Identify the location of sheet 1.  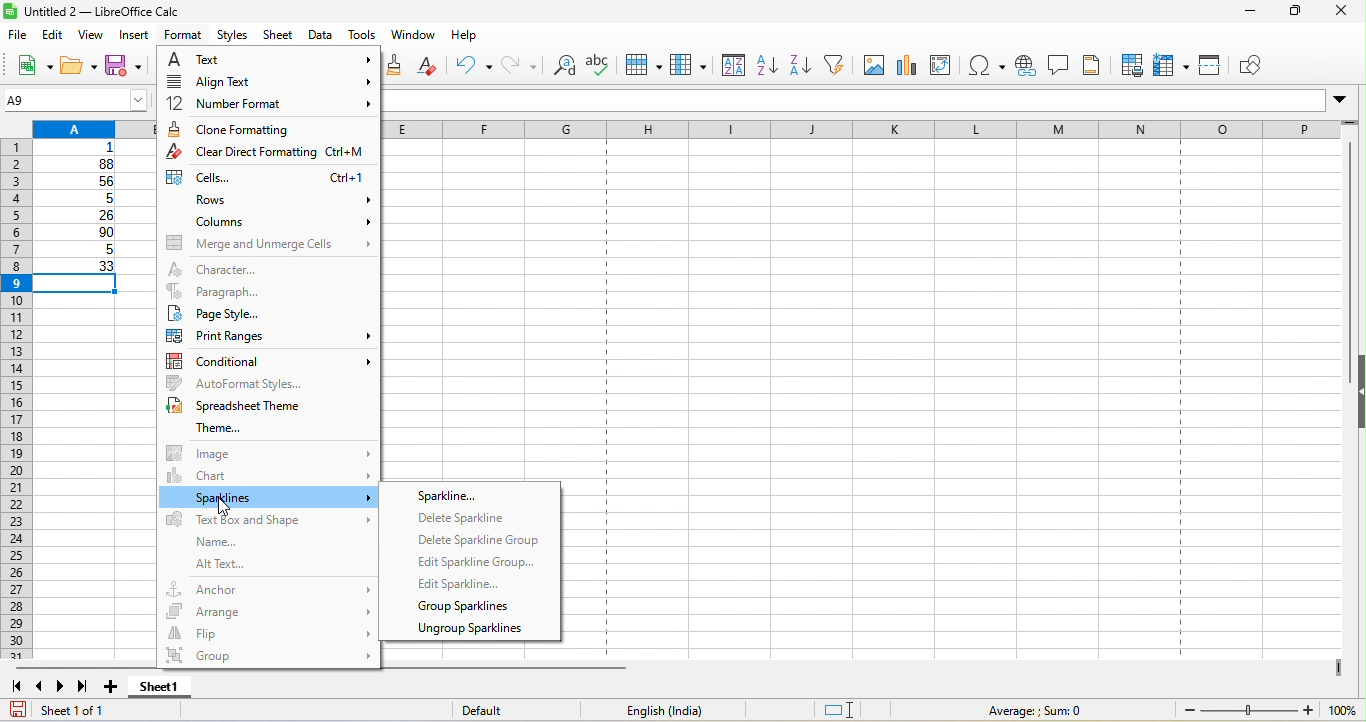
(176, 689).